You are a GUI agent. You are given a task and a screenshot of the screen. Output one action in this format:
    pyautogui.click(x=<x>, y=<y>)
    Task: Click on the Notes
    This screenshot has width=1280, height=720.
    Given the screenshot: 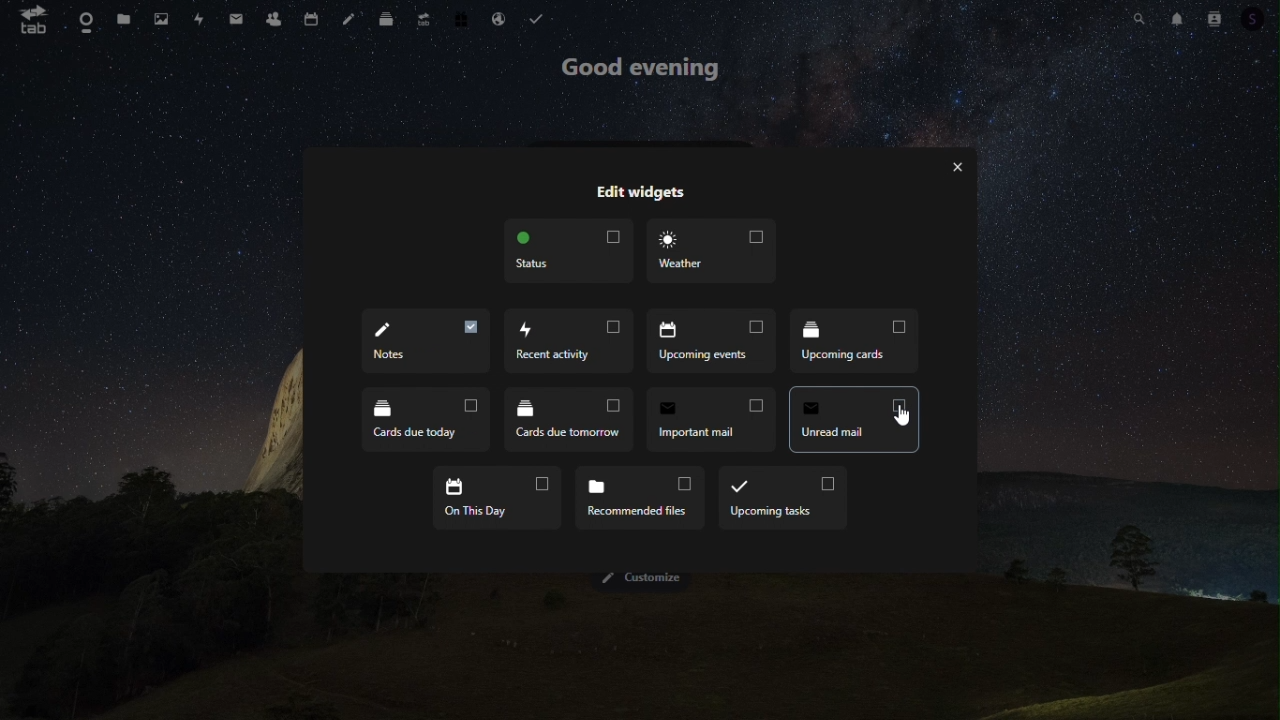 What is the action you would take?
    pyautogui.click(x=853, y=419)
    